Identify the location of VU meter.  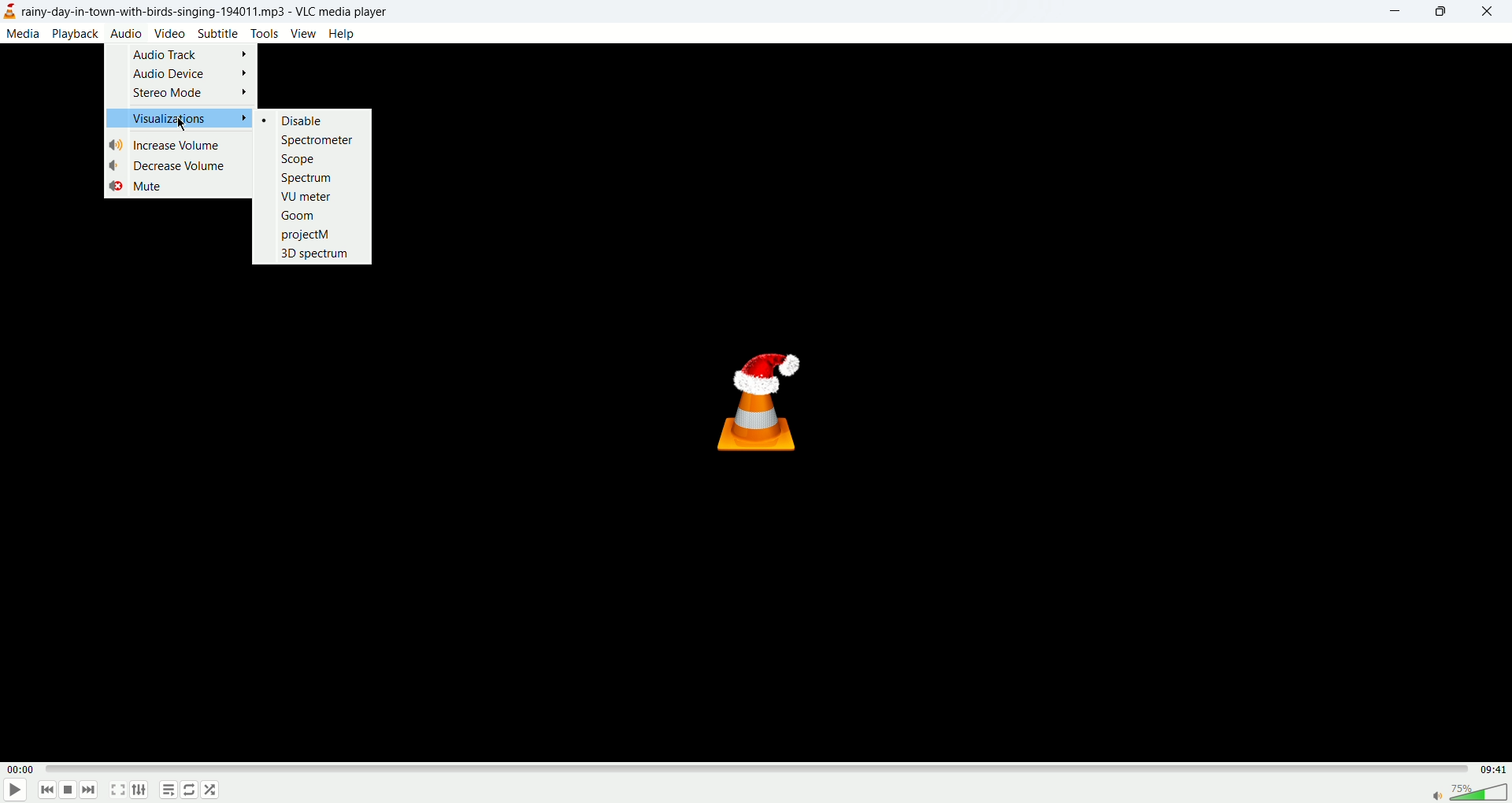
(307, 198).